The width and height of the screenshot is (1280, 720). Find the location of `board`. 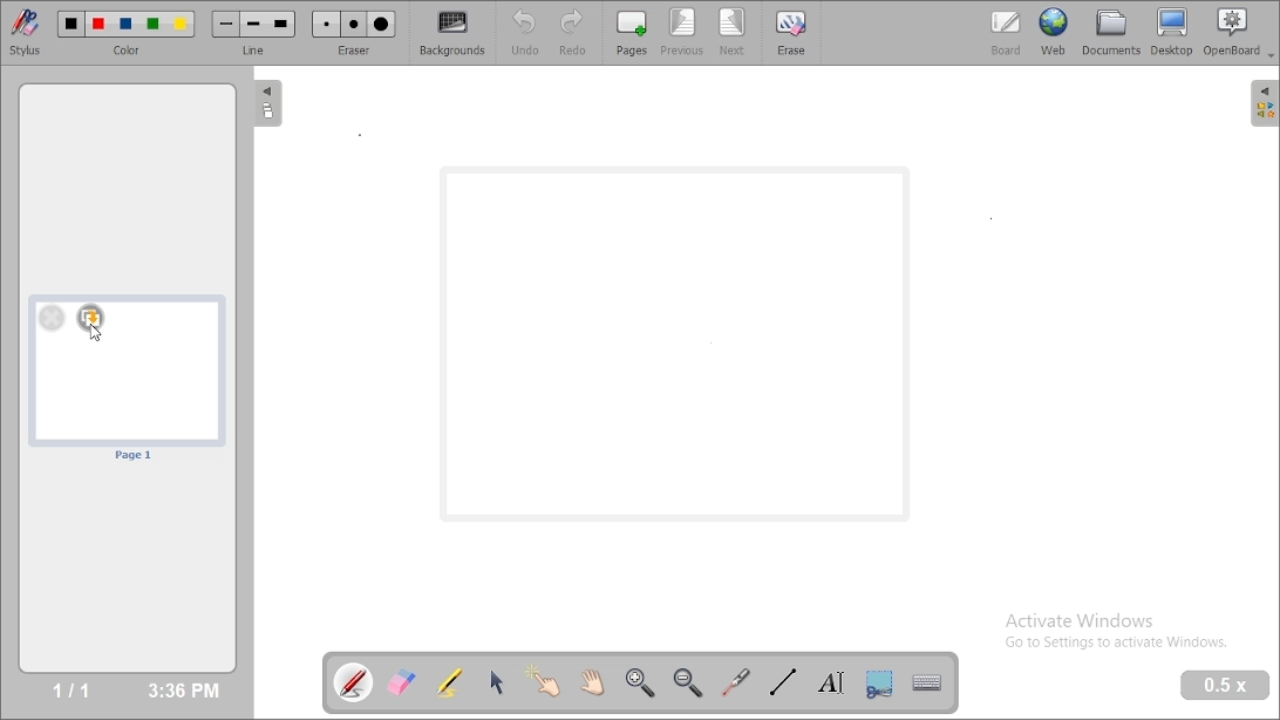

board is located at coordinates (1006, 33).